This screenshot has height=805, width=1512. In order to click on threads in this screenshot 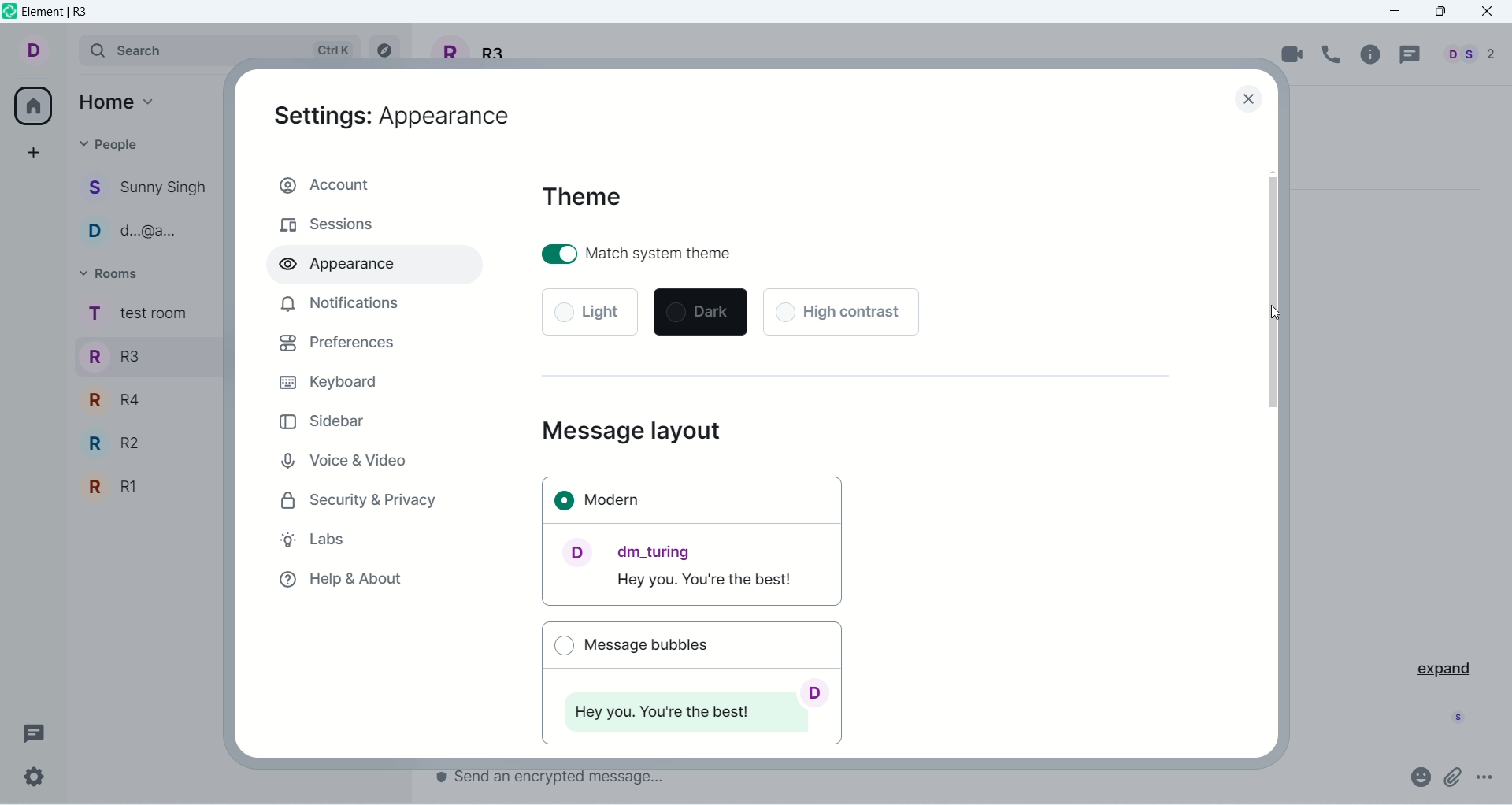, I will do `click(1407, 55)`.